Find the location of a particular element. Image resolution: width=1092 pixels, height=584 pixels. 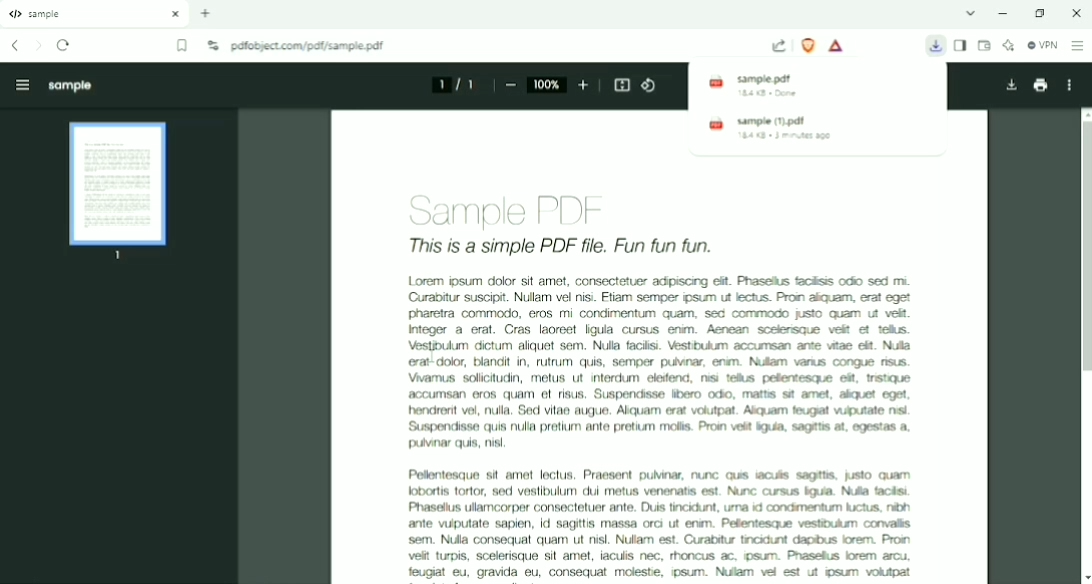

Brave Firewall + VPN is located at coordinates (1042, 45).